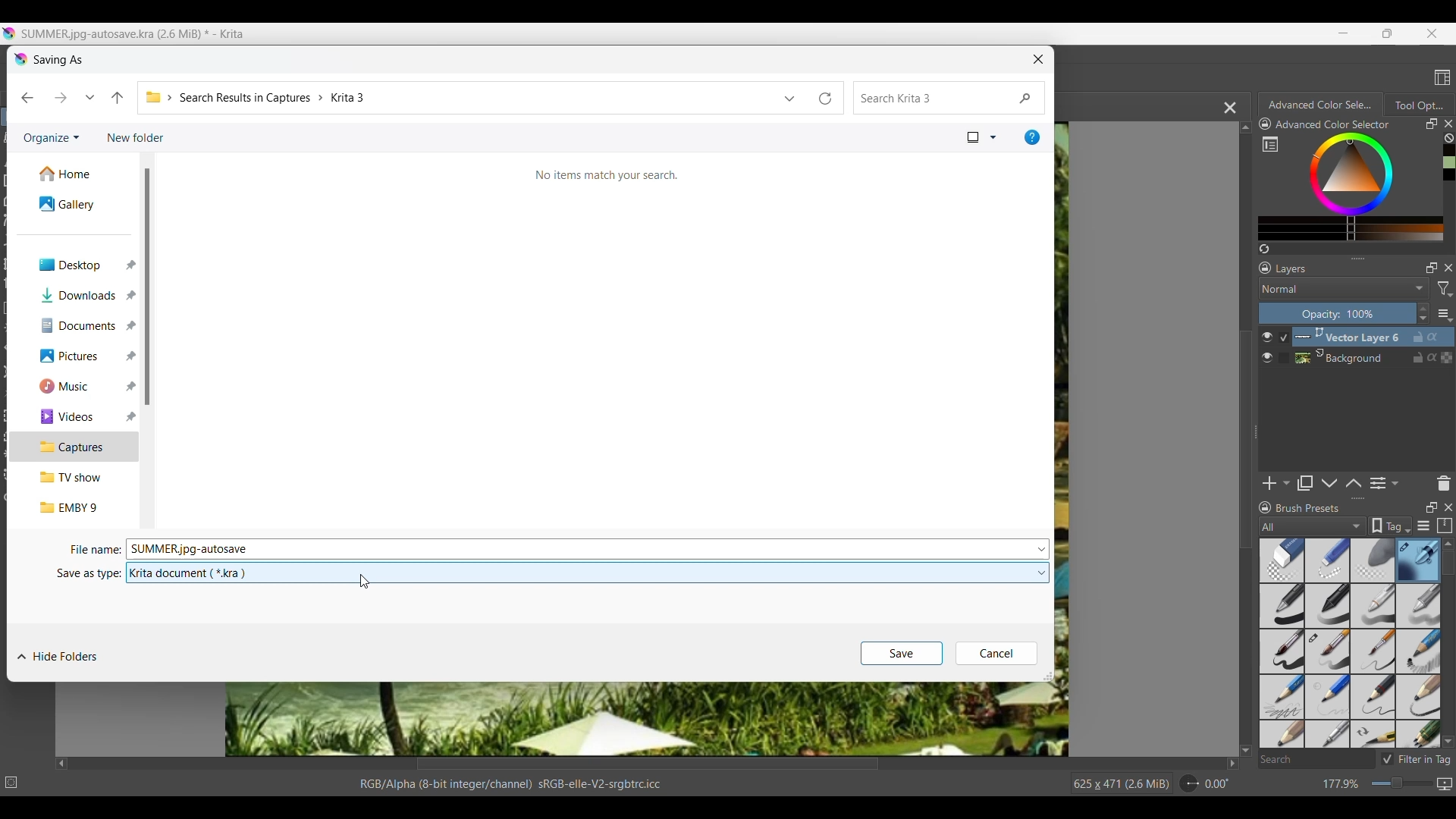  Describe the element at coordinates (74, 296) in the screenshot. I see `Downloads folder` at that location.